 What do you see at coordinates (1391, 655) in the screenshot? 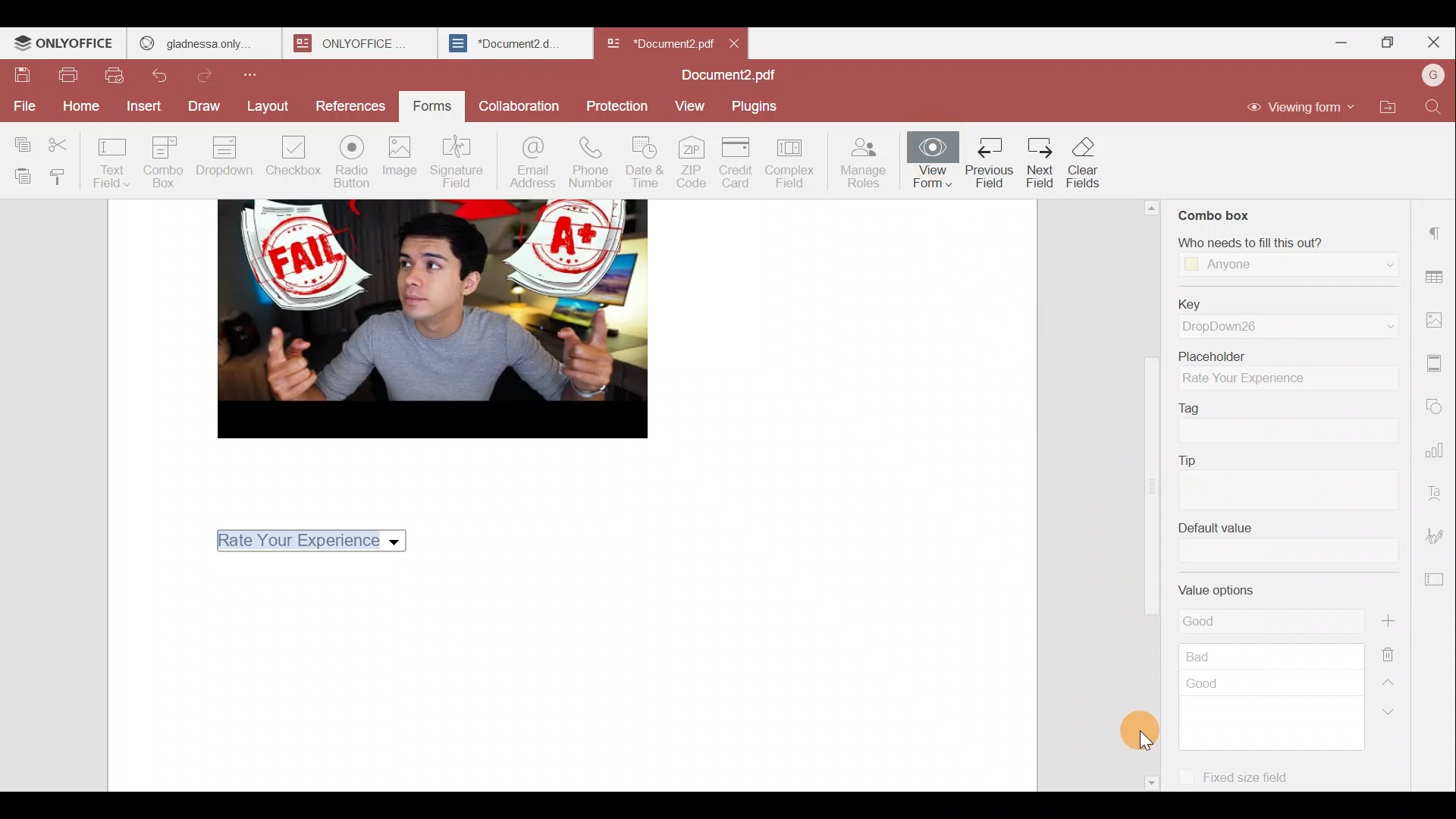
I see `Remove value` at bounding box center [1391, 655].